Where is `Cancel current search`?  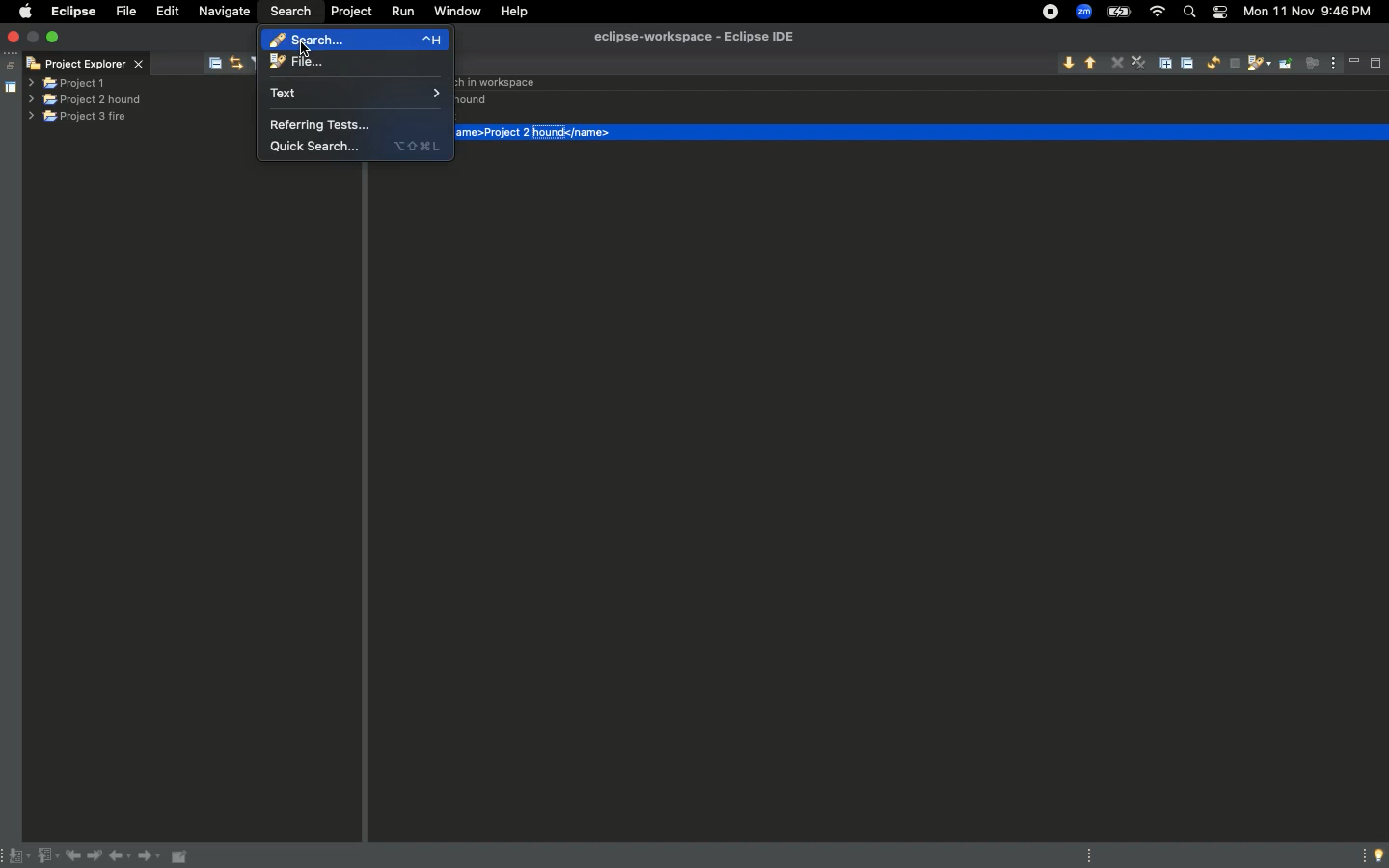 Cancel current search is located at coordinates (1234, 65).